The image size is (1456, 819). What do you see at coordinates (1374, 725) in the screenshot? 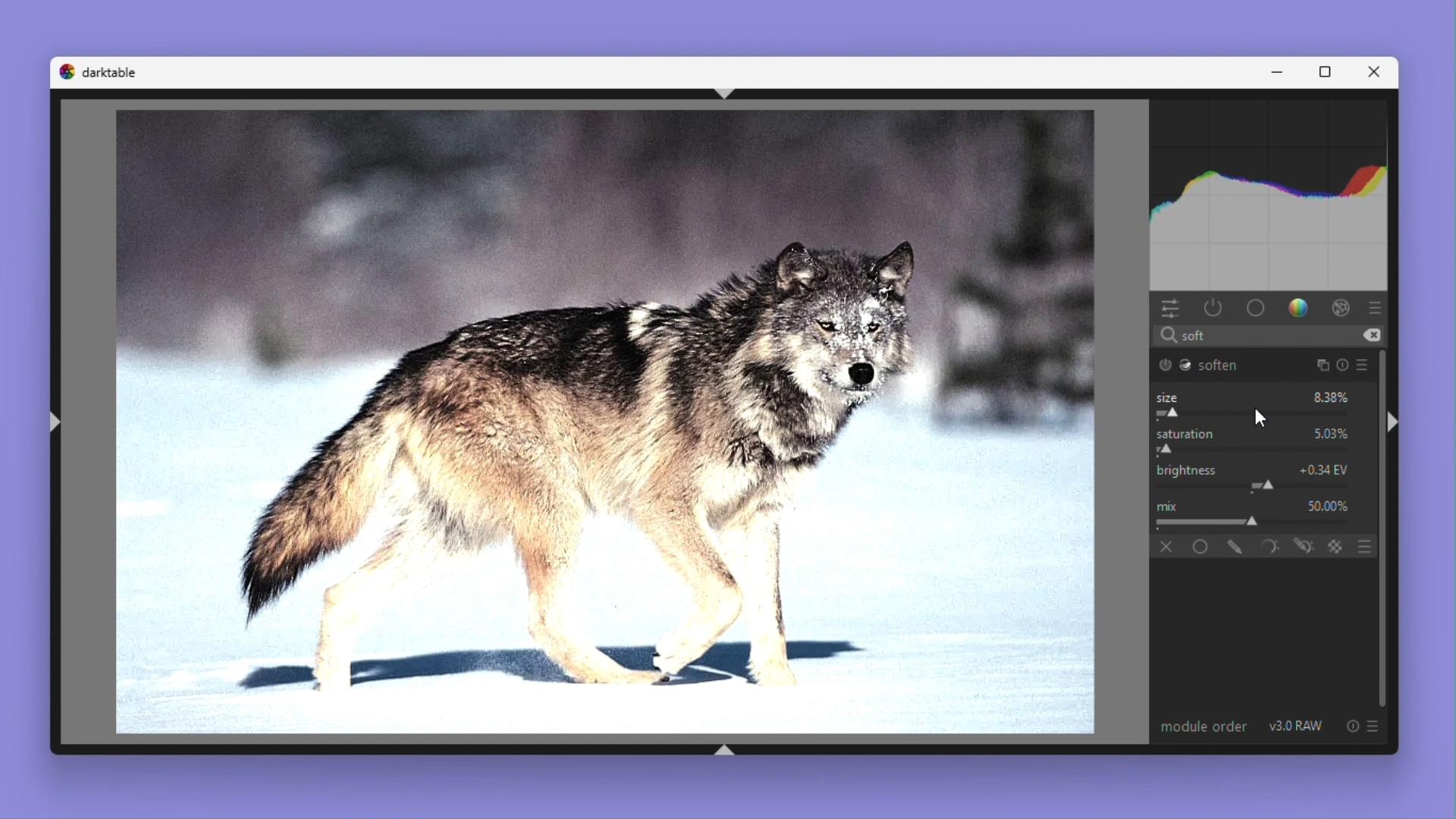
I see `preset ` at bounding box center [1374, 725].